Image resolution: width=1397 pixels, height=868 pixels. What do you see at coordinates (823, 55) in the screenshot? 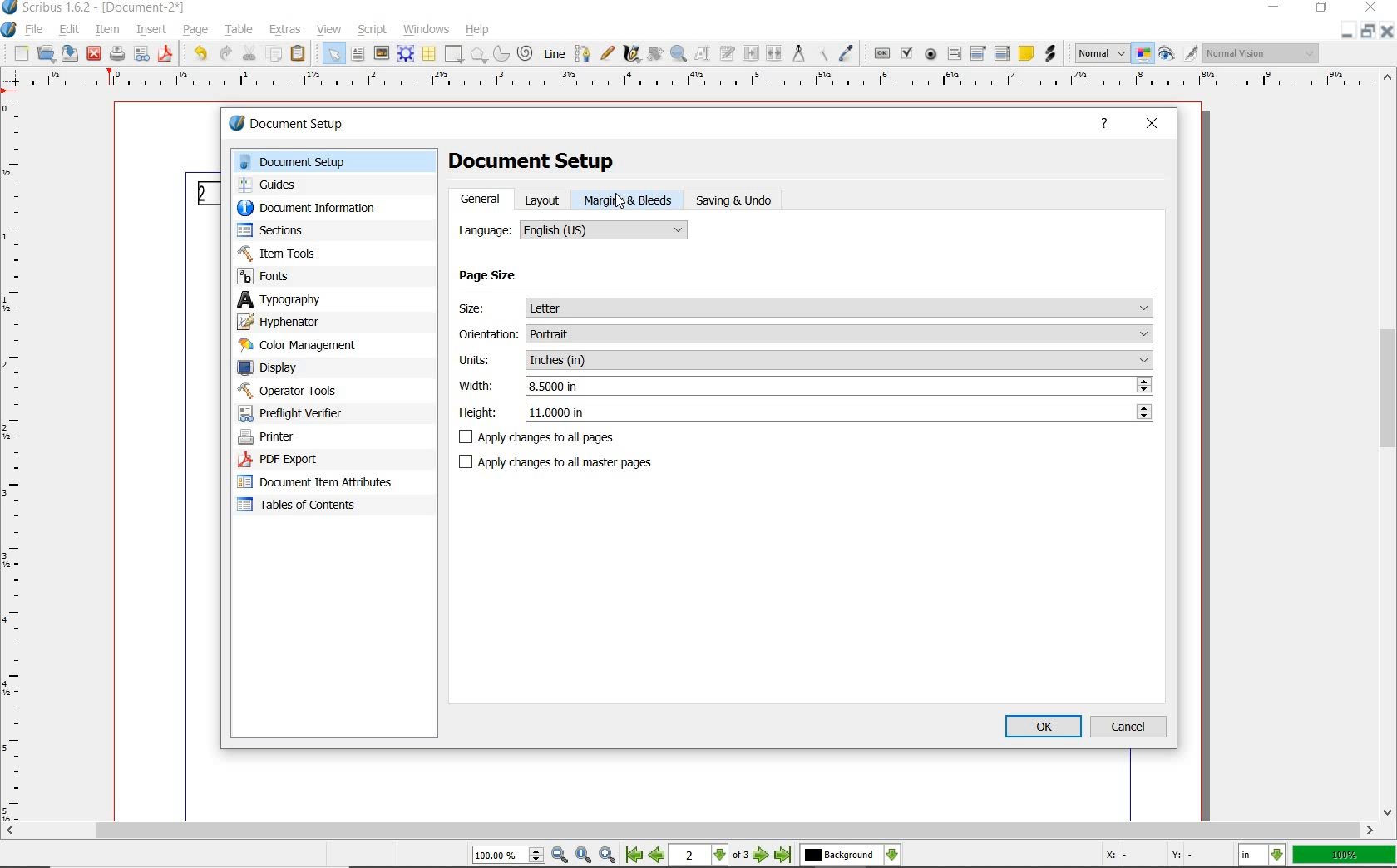
I see `copy item properties` at bounding box center [823, 55].